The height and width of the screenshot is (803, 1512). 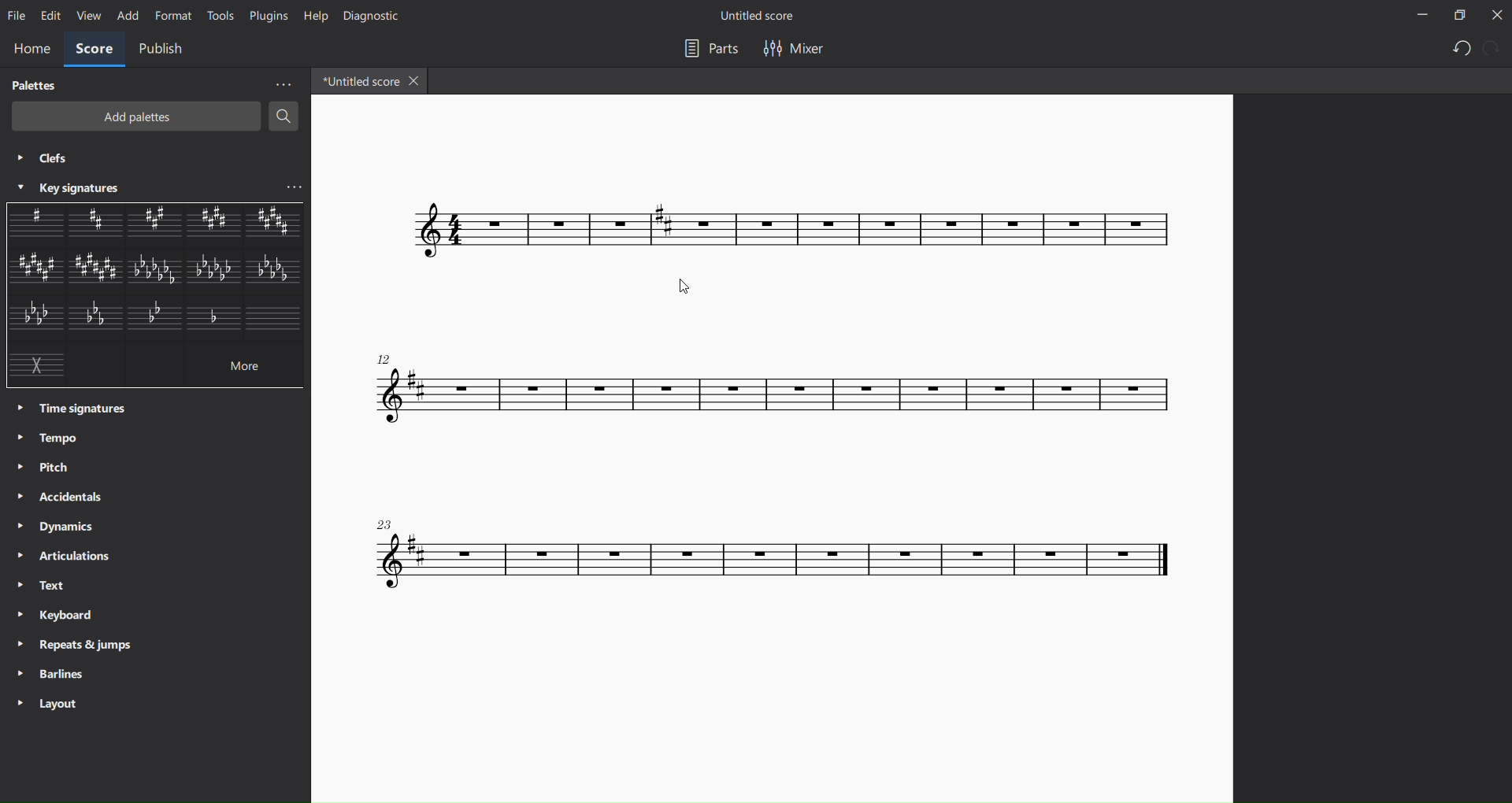 I want to click on keyboard, so click(x=62, y=615).